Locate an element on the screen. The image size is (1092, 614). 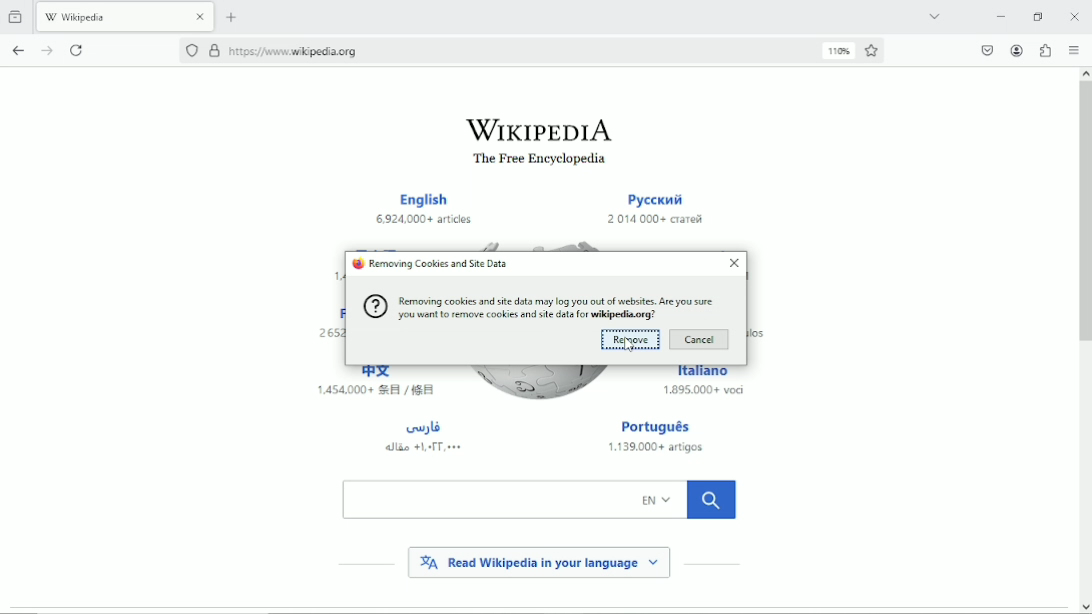
Current tab is located at coordinates (126, 15).